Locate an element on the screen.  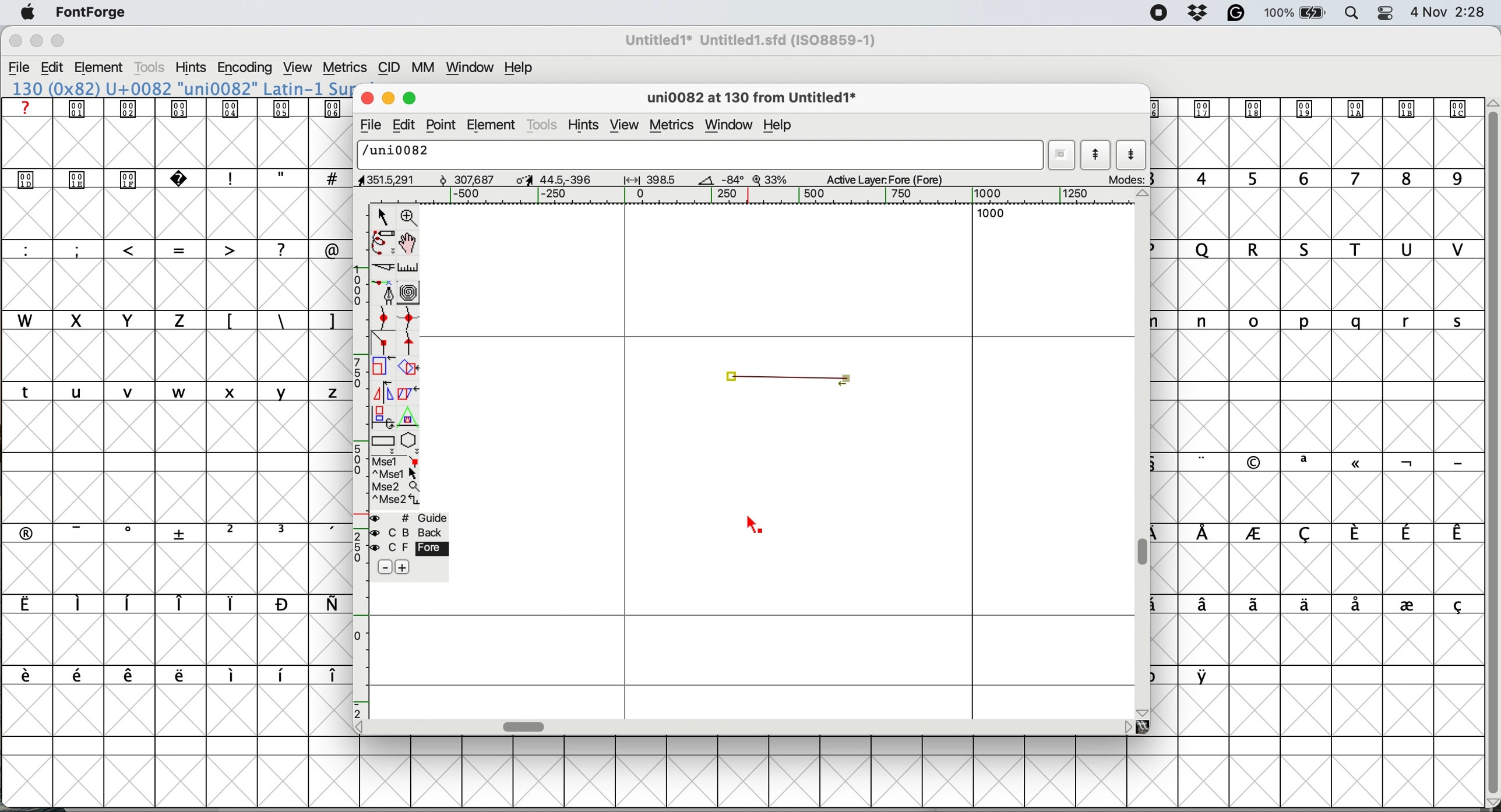
add a curve point horizontal or vertical is located at coordinates (409, 318).